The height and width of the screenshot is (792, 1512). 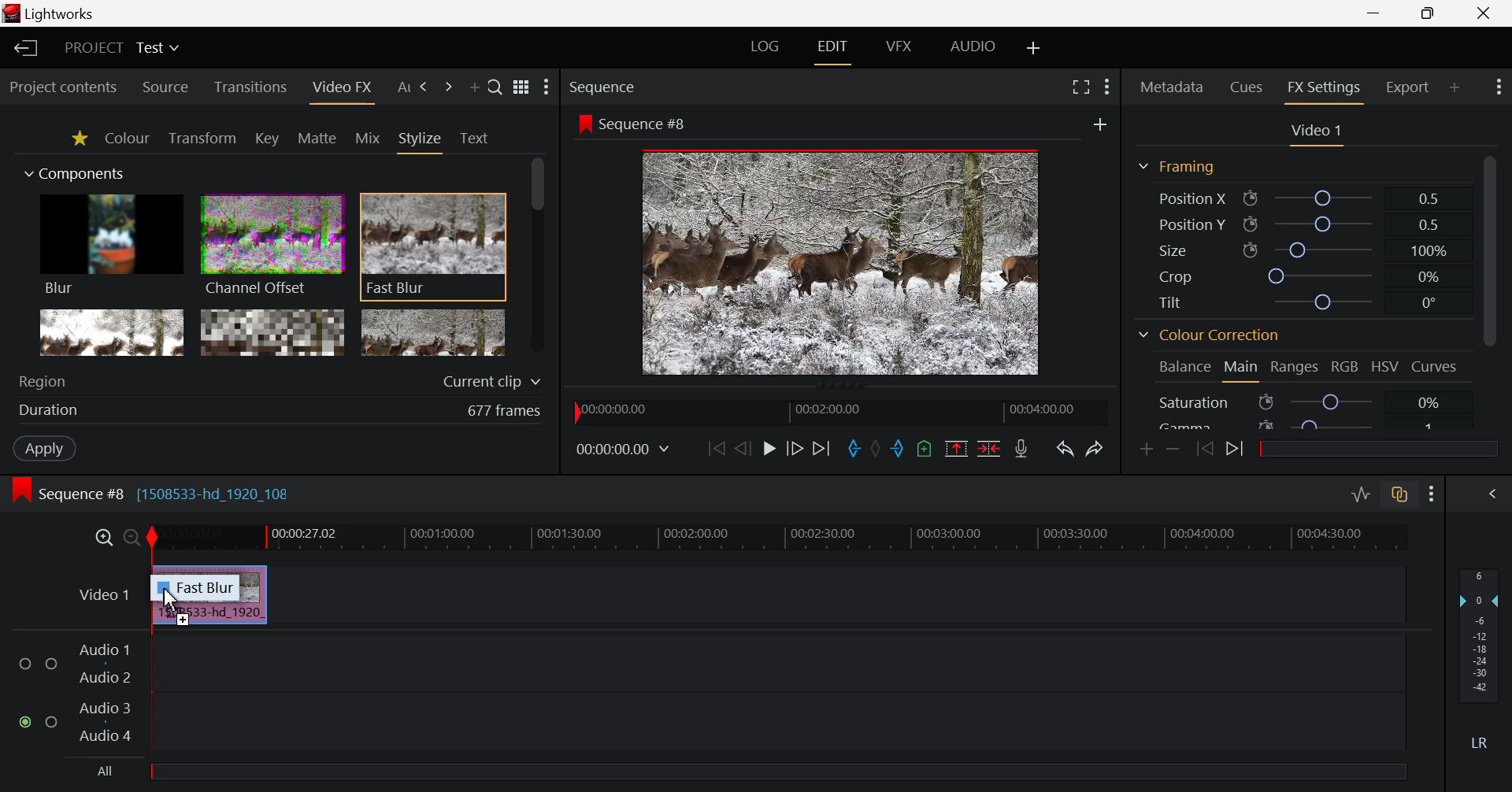 I want to click on Remove all marks, so click(x=877, y=448).